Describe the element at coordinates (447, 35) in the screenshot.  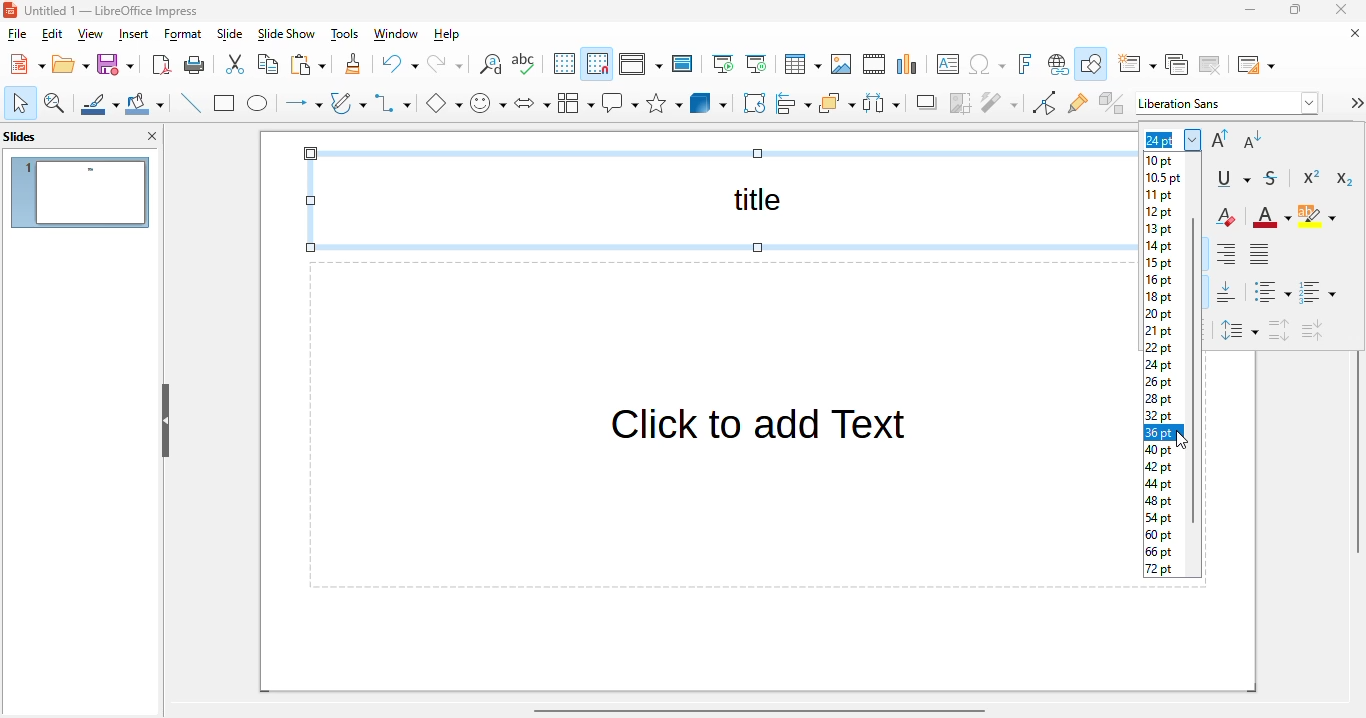
I see `help` at that location.